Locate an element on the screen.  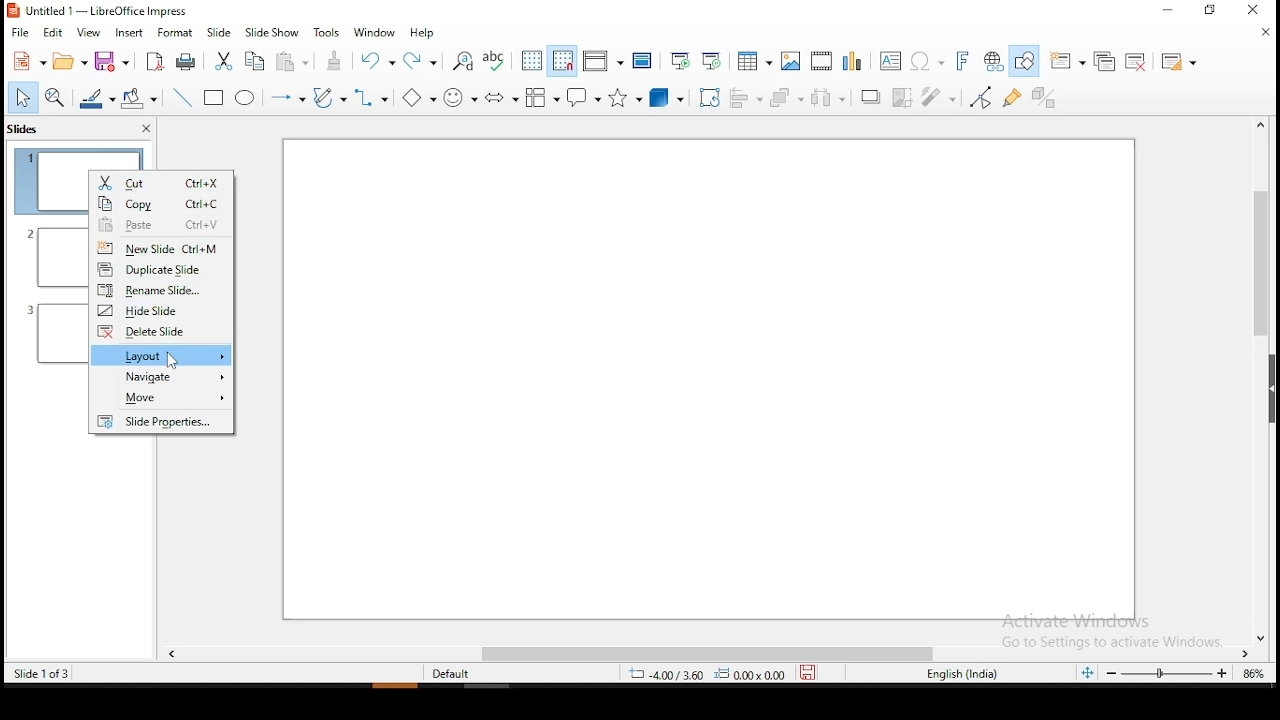
cut is located at coordinates (221, 62).